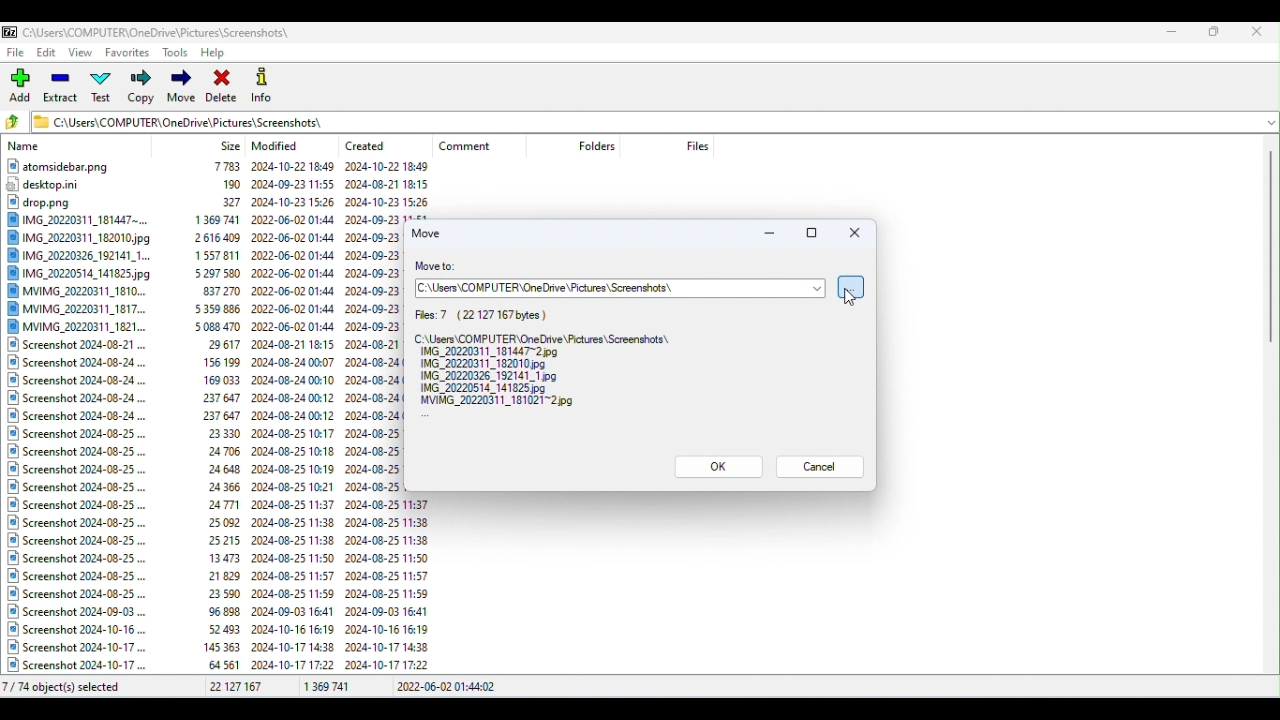  I want to click on Edit, so click(48, 55).